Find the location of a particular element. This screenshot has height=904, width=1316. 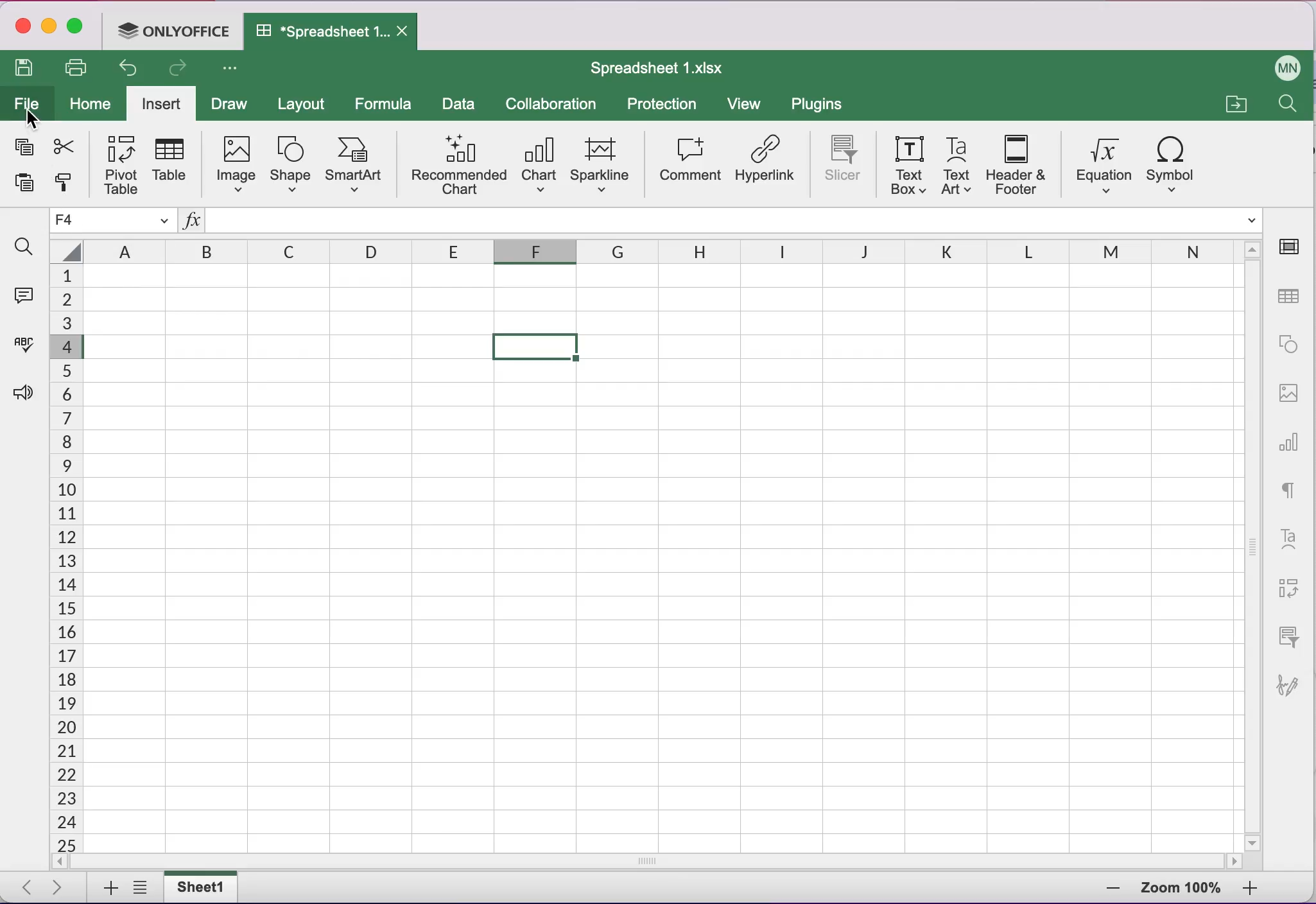

sheet is located at coordinates (198, 887).